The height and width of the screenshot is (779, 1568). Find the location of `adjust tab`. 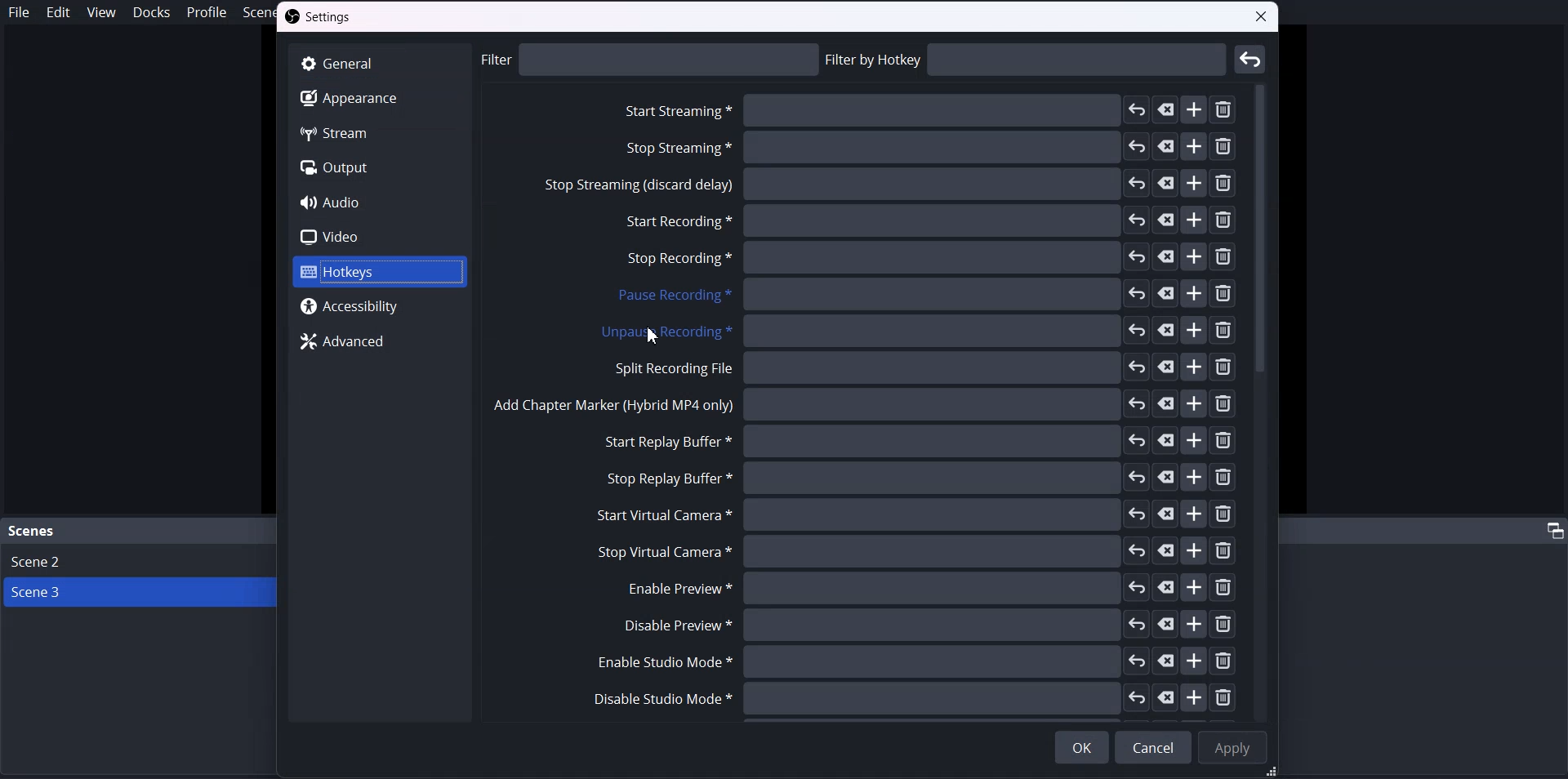

adjust tab is located at coordinates (1552, 530).